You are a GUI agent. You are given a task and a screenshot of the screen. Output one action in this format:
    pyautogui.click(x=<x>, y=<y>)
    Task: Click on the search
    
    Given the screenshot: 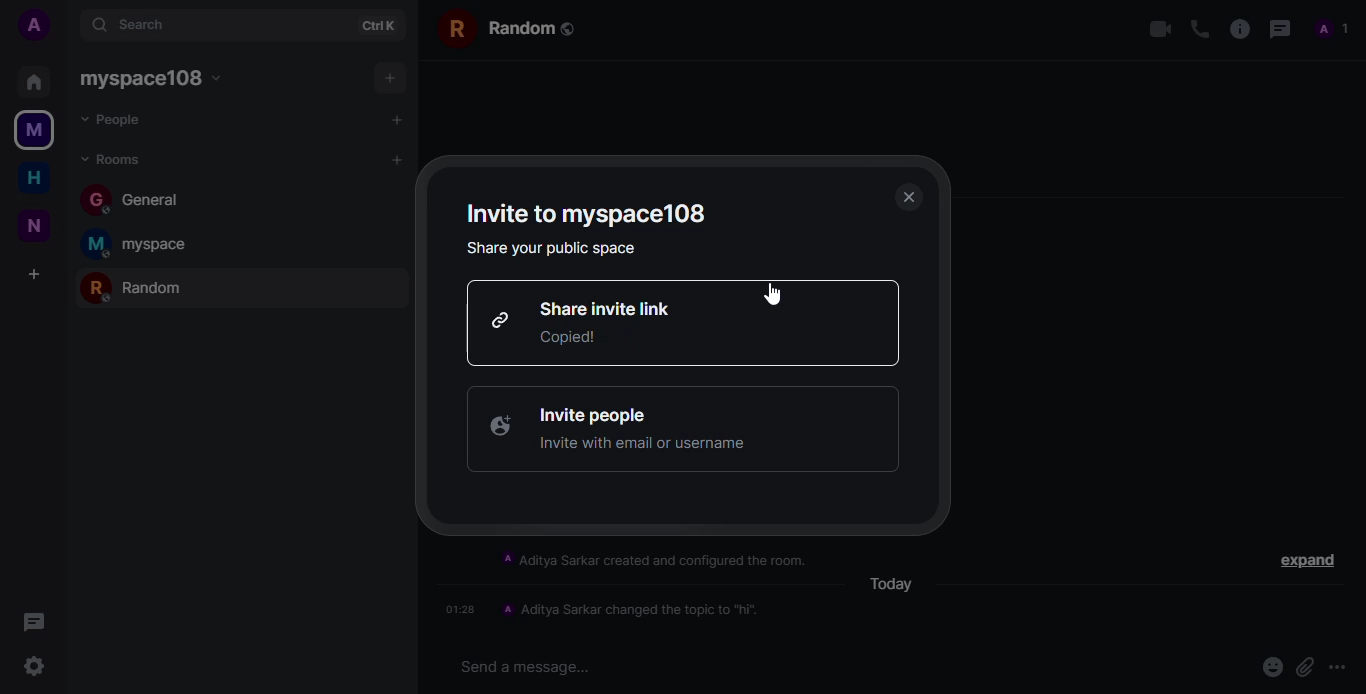 What is the action you would take?
    pyautogui.click(x=138, y=23)
    